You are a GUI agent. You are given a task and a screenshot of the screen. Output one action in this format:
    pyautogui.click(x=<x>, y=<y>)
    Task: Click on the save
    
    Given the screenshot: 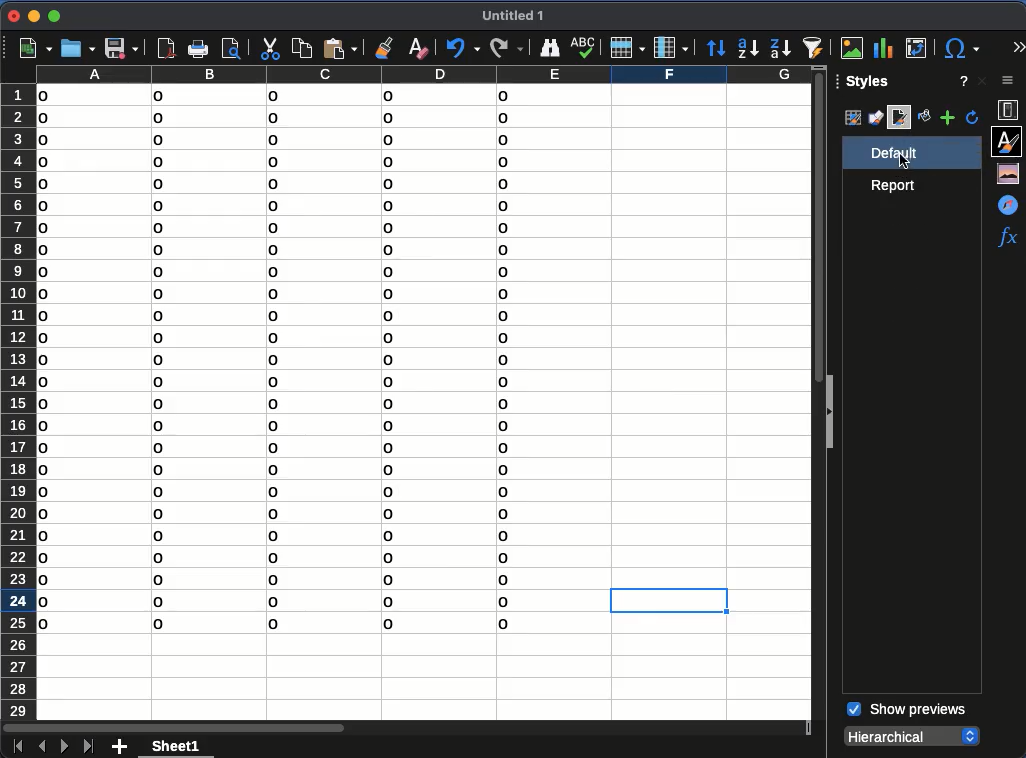 What is the action you would take?
    pyautogui.click(x=120, y=49)
    